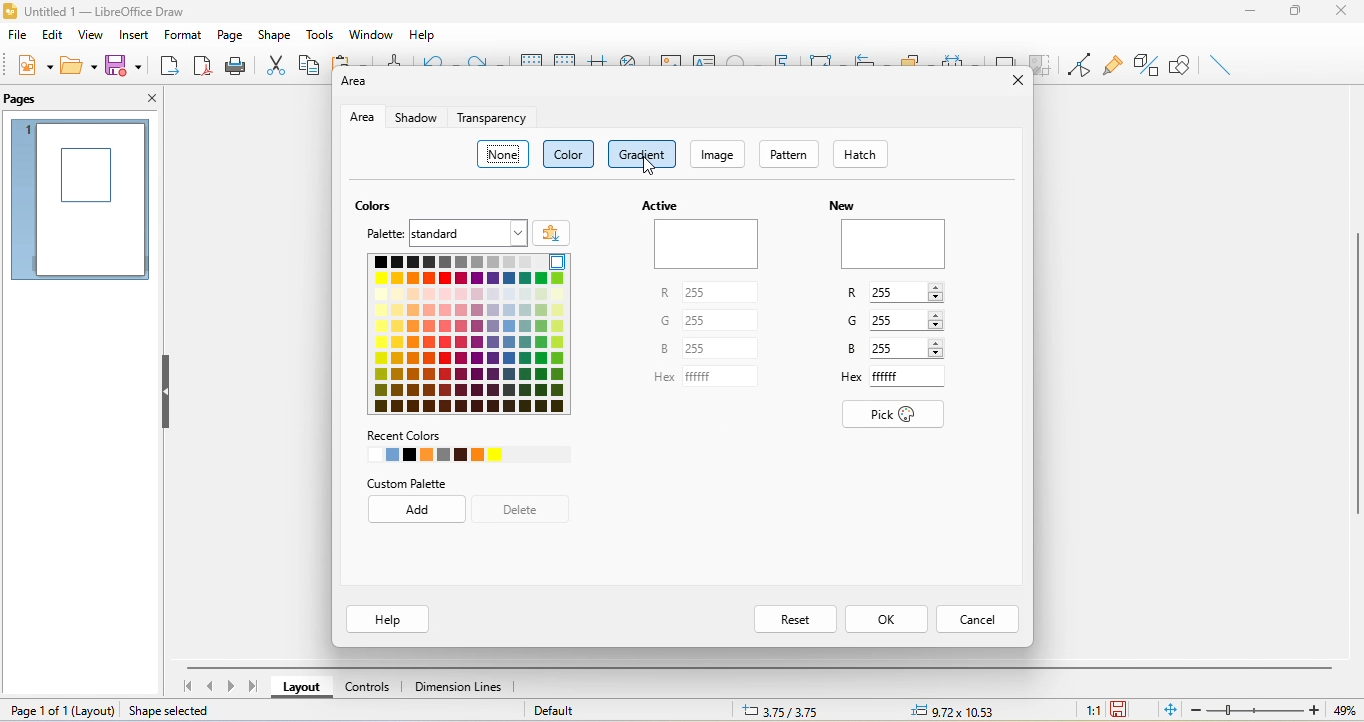 This screenshot has height=722, width=1364. What do you see at coordinates (1355, 373) in the screenshot?
I see `vertical scroll  bar` at bounding box center [1355, 373].